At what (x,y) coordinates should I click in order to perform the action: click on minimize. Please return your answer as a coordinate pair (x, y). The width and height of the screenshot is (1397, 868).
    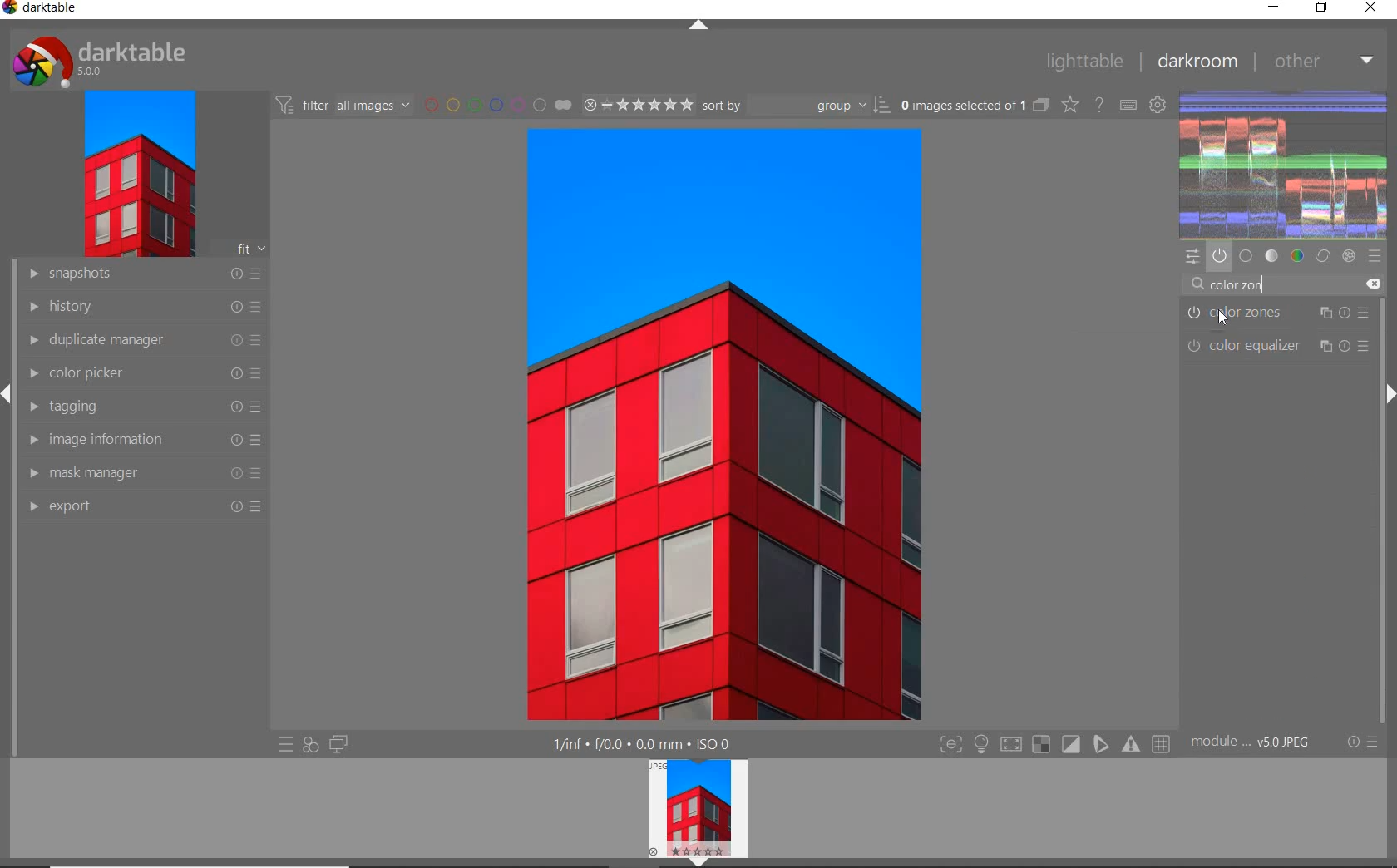
    Looking at the image, I should click on (1274, 8).